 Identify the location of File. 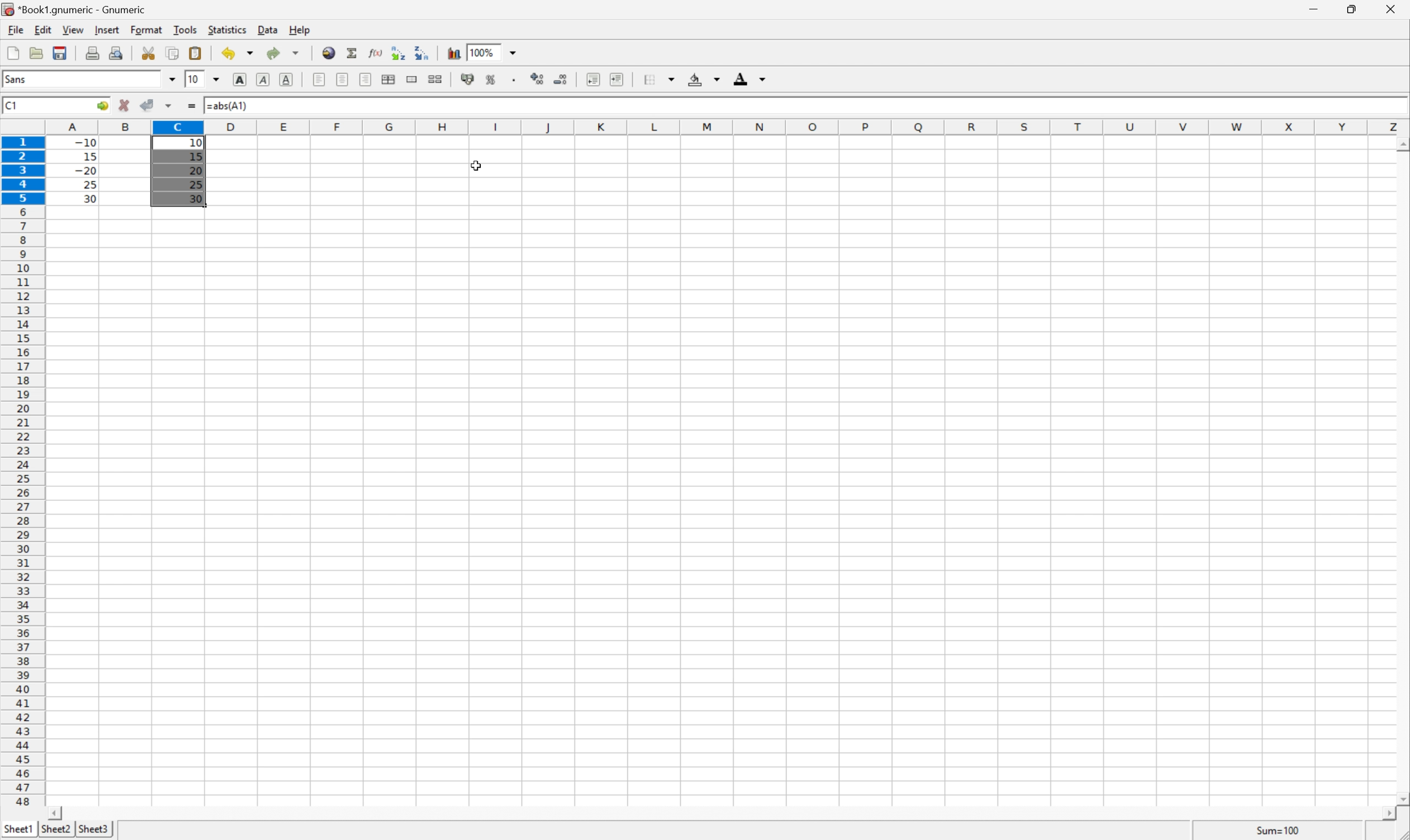
(13, 54).